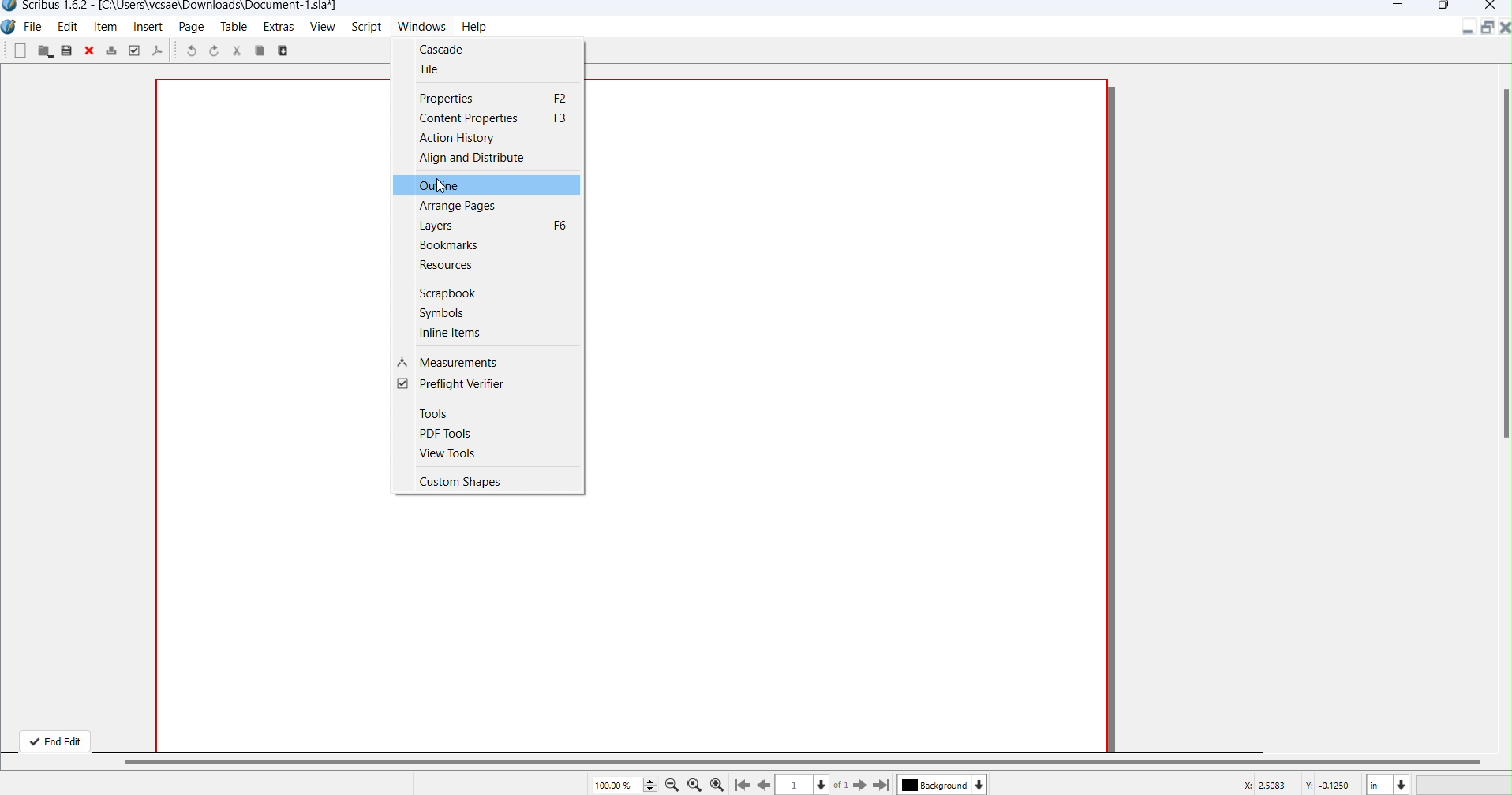  I want to click on Preflight Verifier, so click(452, 386).